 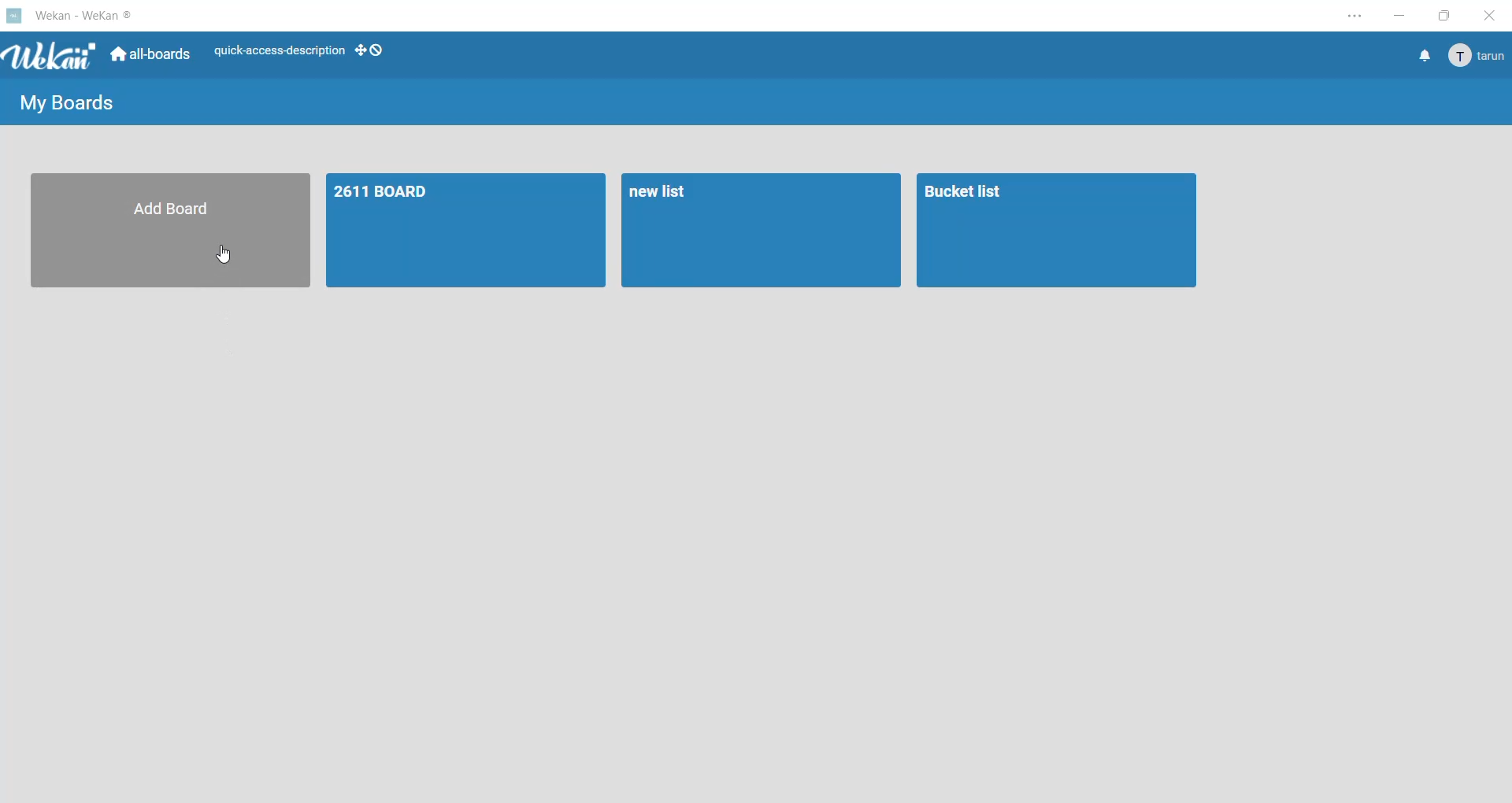 What do you see at coordinates (226, 255) in the screenshot?
I see `cursor` at bounding box center [226, 255].